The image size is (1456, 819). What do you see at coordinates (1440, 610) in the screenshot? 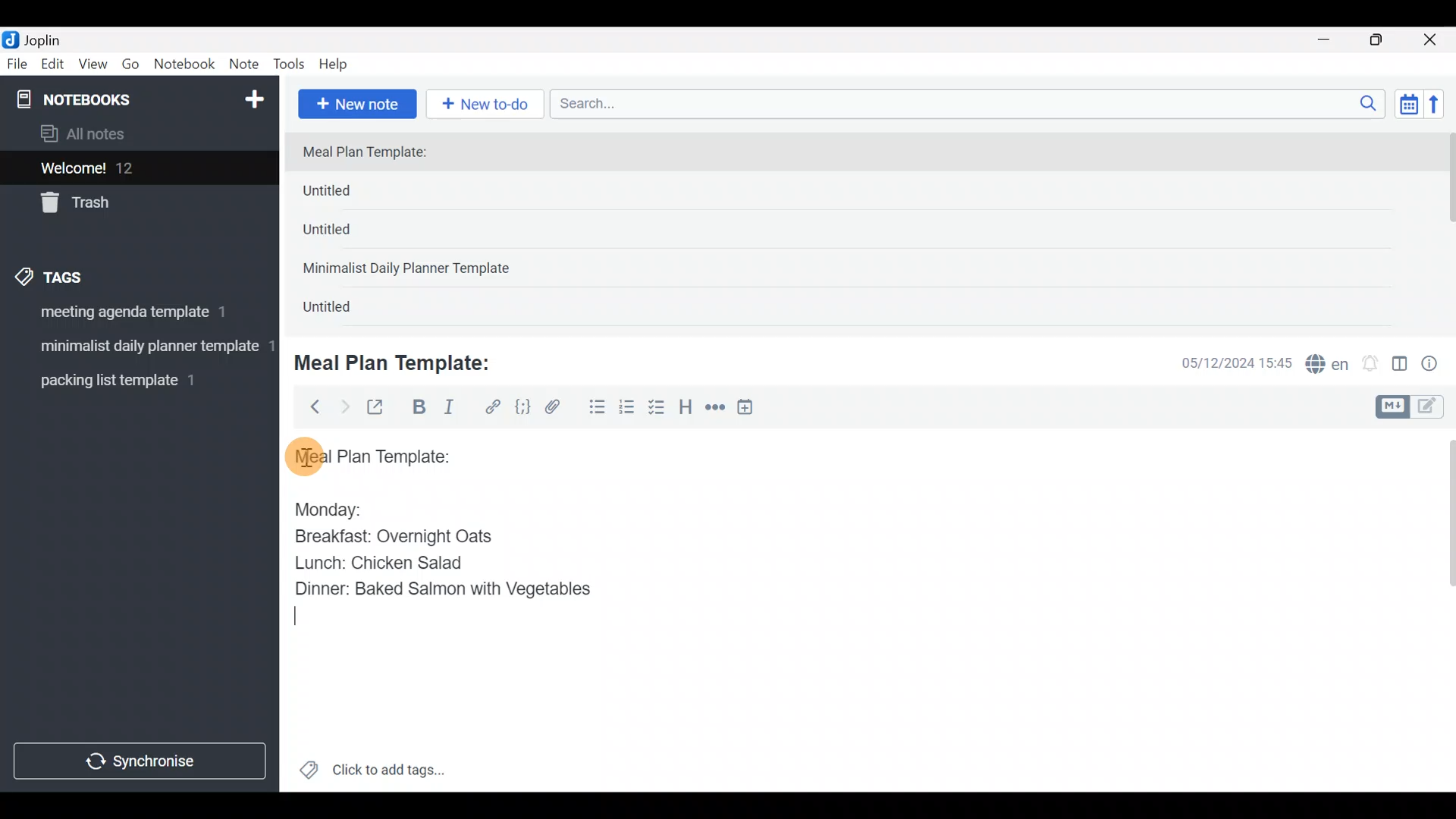
I see `Scroll bar` at bounding box center [1440, 610].